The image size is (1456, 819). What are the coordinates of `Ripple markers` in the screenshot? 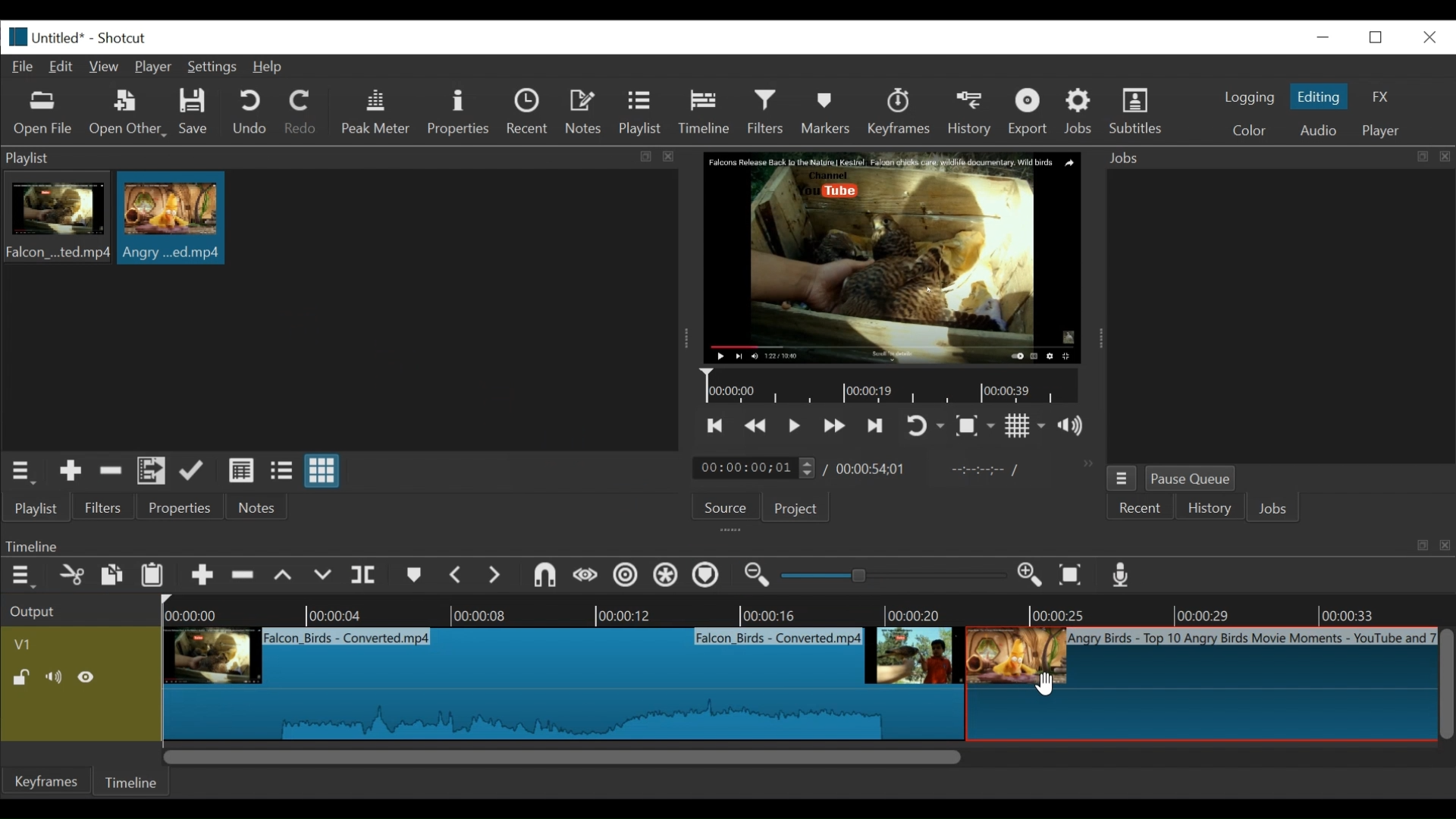 It's located at (709, 577).